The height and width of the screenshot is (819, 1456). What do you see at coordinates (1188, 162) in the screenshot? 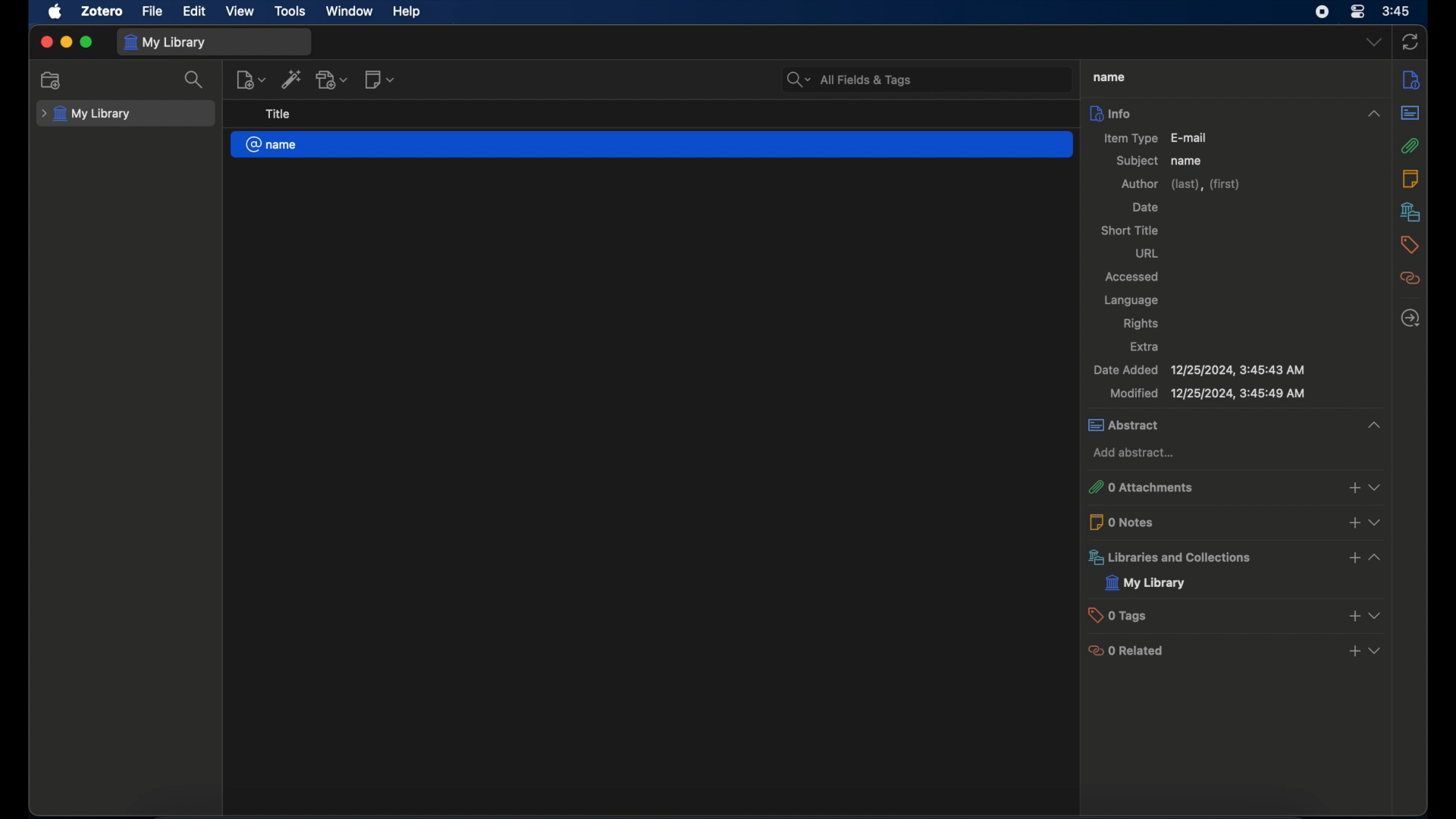
I see `name` at bounding box center [1188, 162].